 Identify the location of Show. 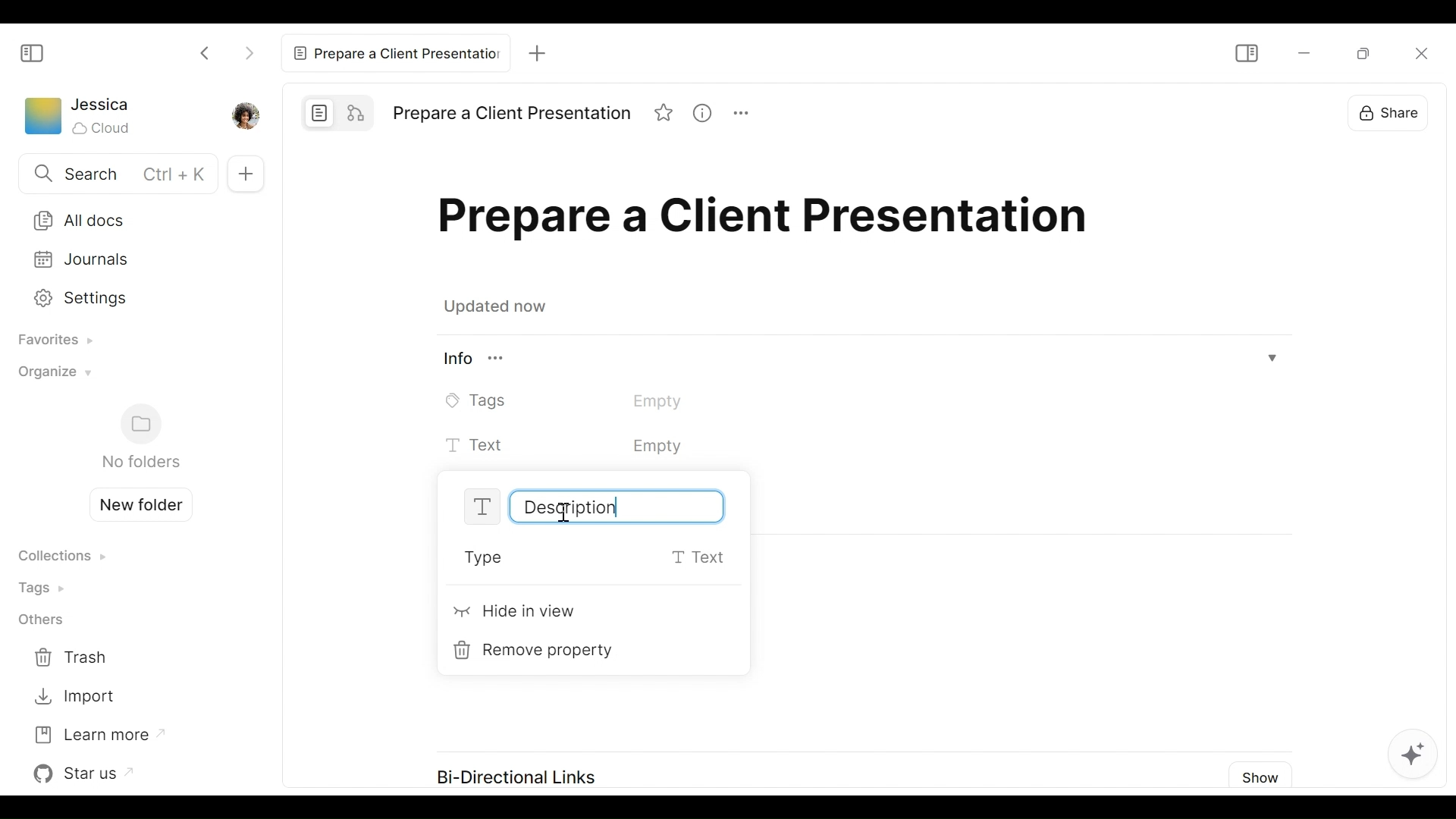
(1264, 777).